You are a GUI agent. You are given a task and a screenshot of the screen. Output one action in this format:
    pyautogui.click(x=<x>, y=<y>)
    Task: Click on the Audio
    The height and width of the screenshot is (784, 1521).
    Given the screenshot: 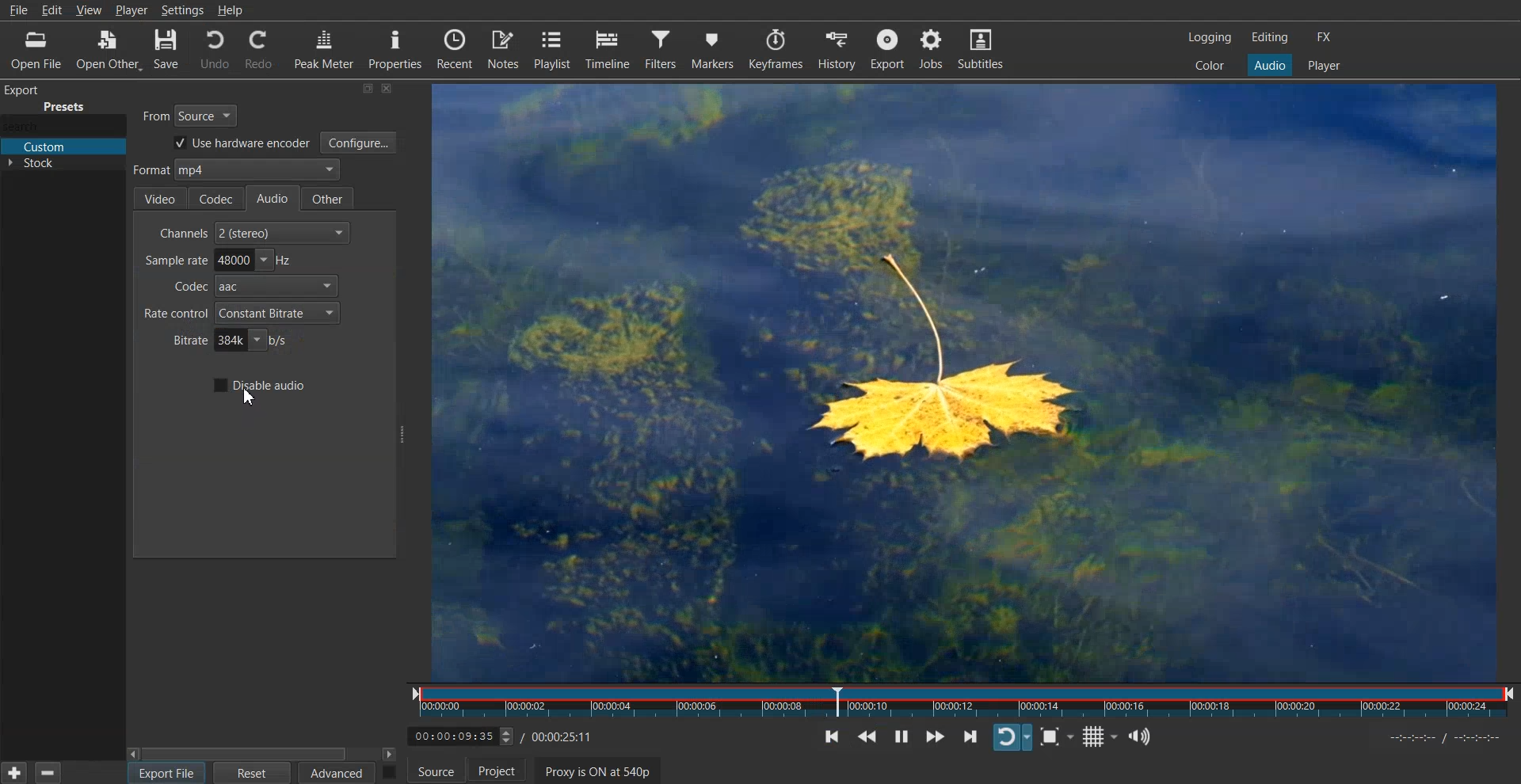 What is the action you would take?
    pyautogui.click(x=276, y=199)
    